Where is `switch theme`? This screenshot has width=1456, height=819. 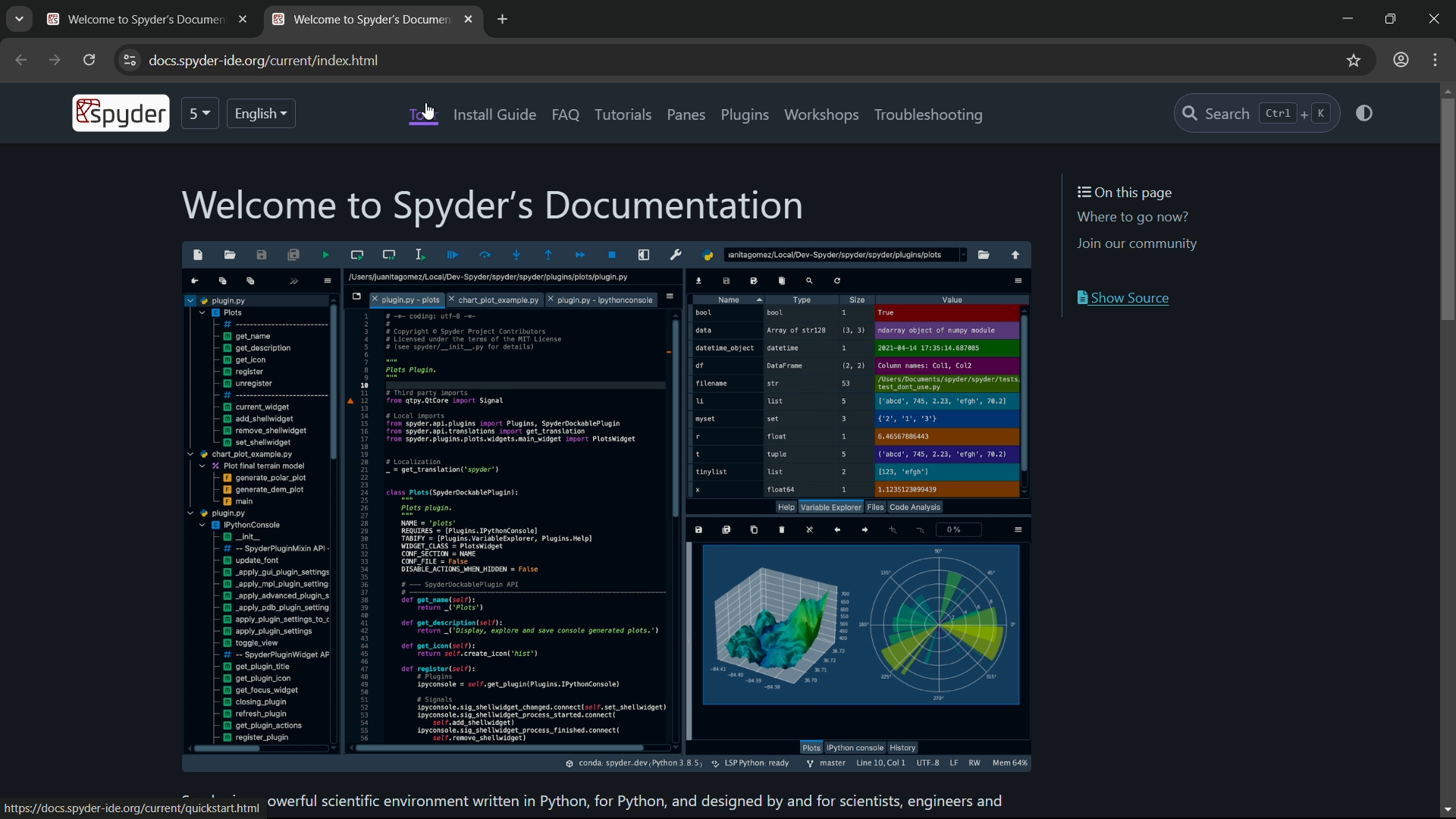
switch theme is located at coordinates (1367, 115).